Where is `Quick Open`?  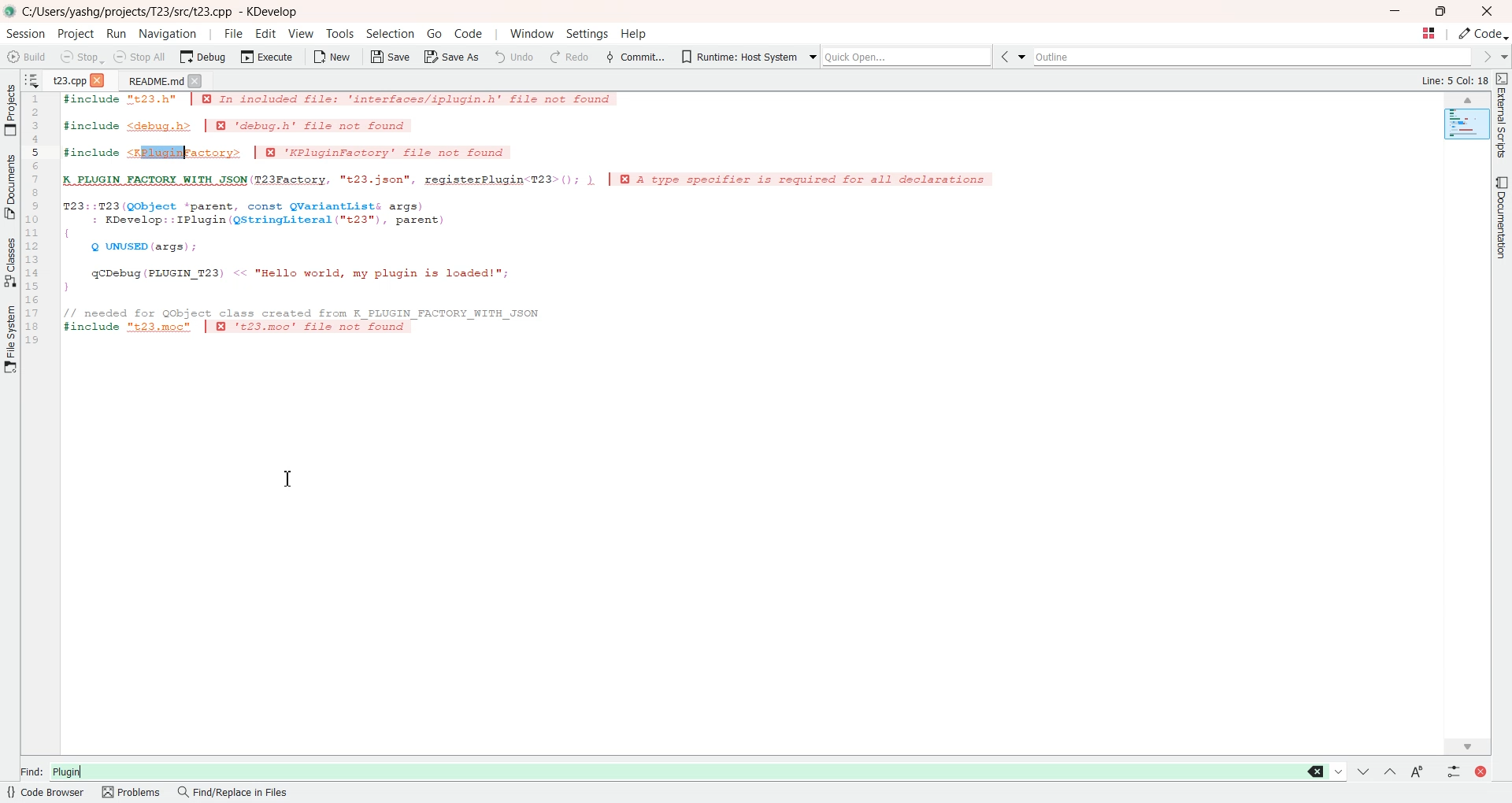
Quick Open is located at coordinates (1428, 34).